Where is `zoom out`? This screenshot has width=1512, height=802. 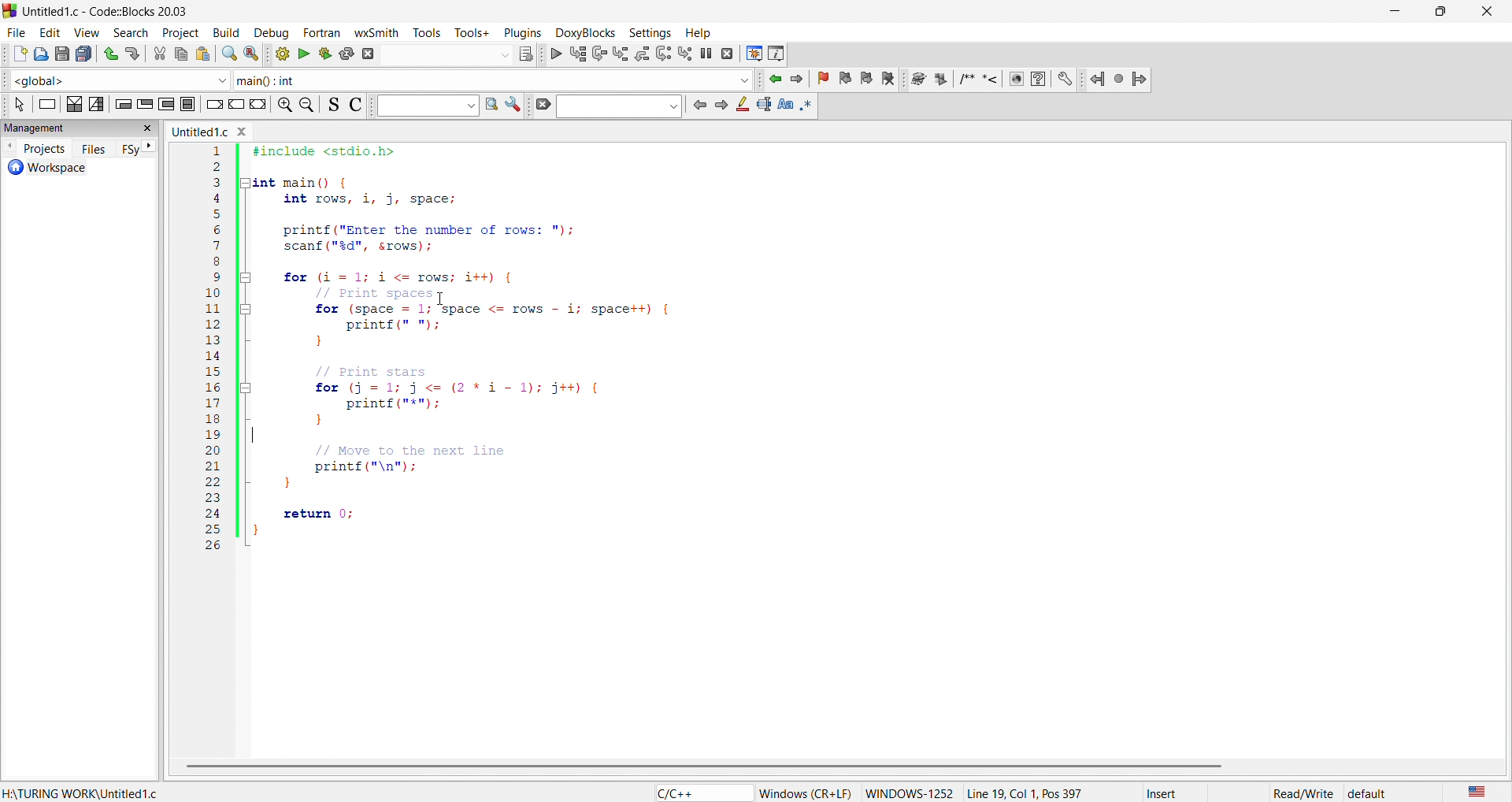 zoom out is located at coordinates (306, 105).